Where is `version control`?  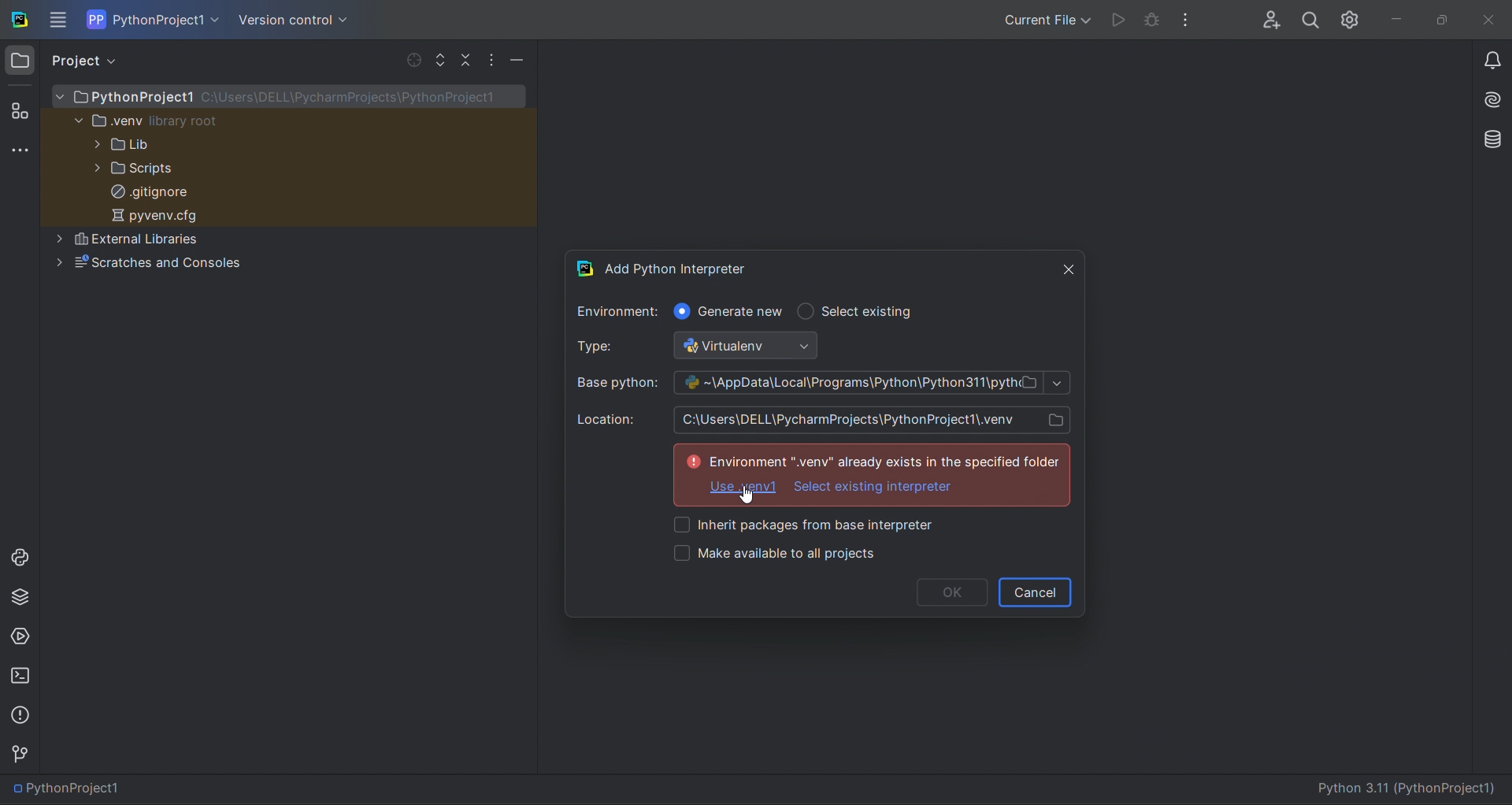
version control is located at coordinates (291, 20).